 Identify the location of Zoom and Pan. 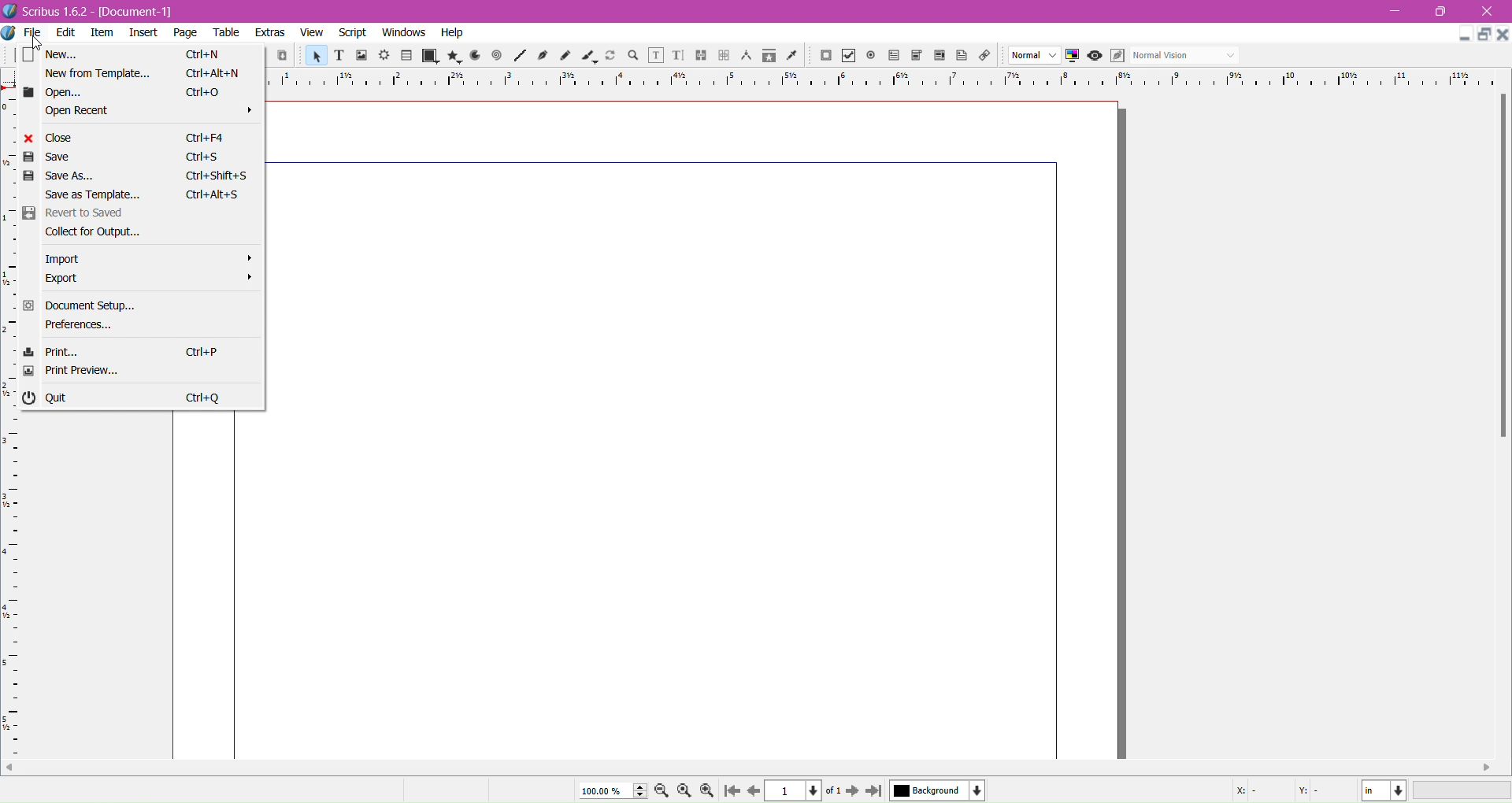
(632, 57).